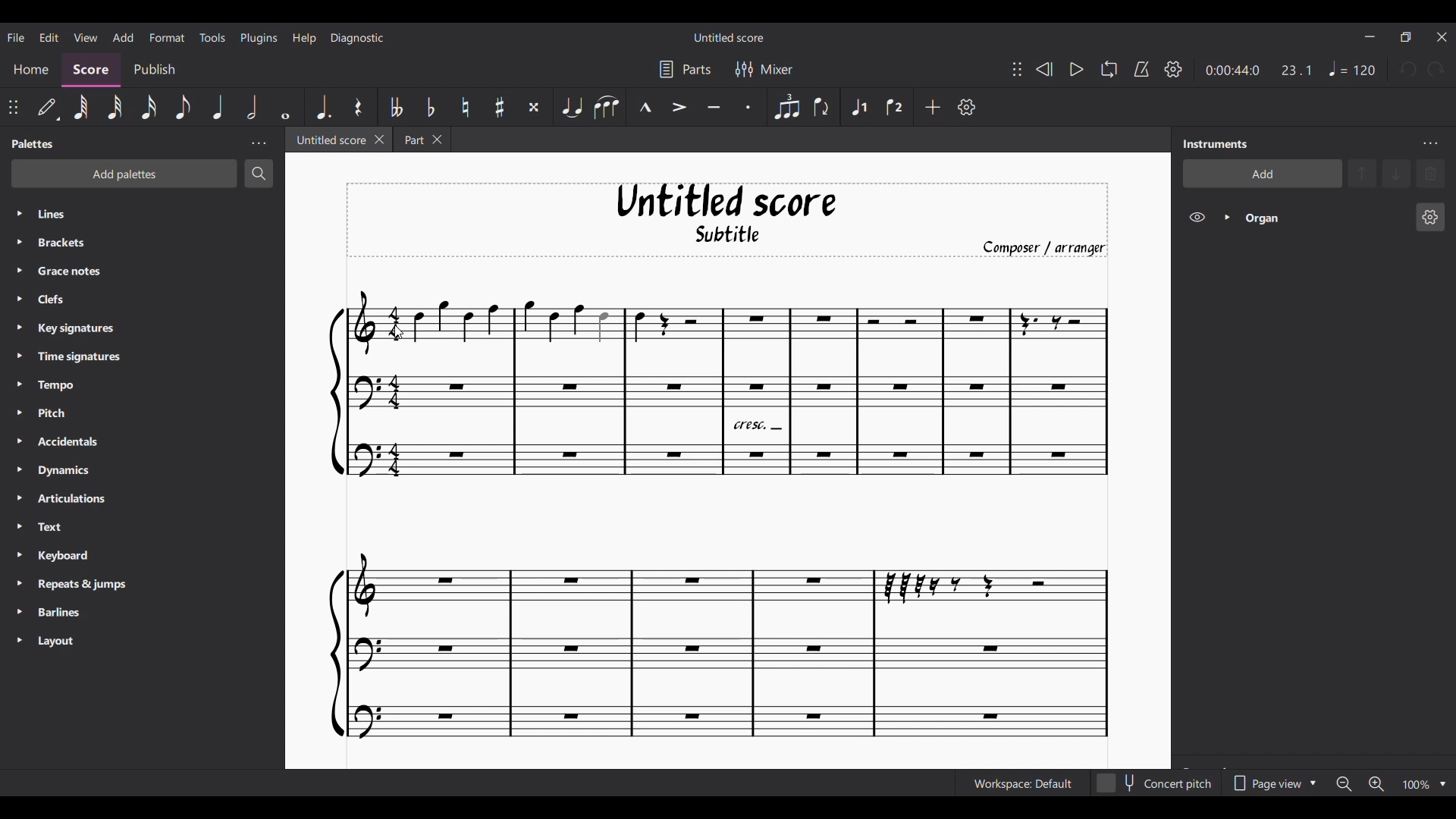  What do you see at coordinates (1442, 37) in the screenshot?
I see `Close interface` at bounding box center [1442, 37].